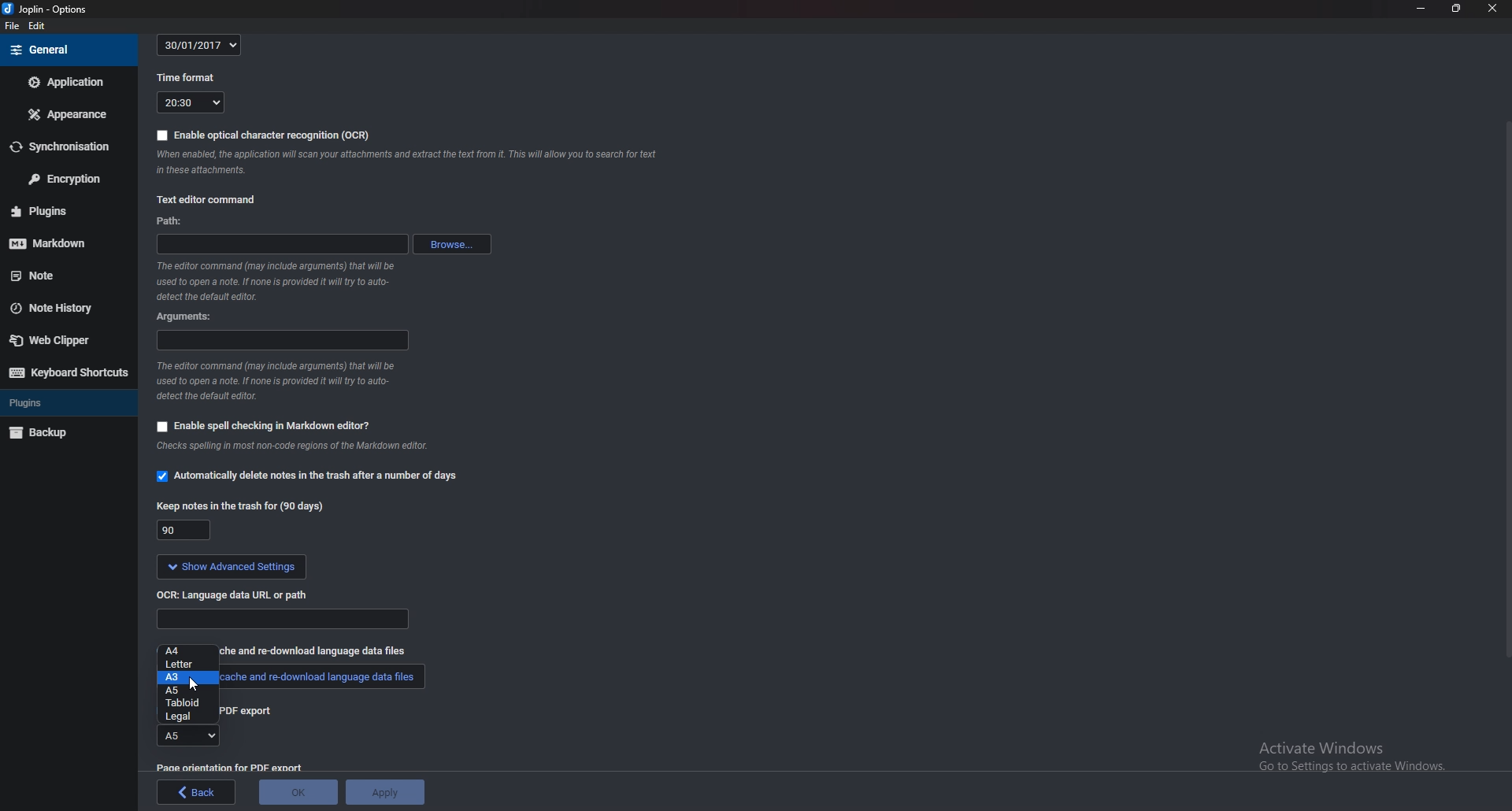 This screenshot has width=1512, height=811. Describe the element at coordinates (277, 282) in the screenshot. I see `info on editor command` at that location.